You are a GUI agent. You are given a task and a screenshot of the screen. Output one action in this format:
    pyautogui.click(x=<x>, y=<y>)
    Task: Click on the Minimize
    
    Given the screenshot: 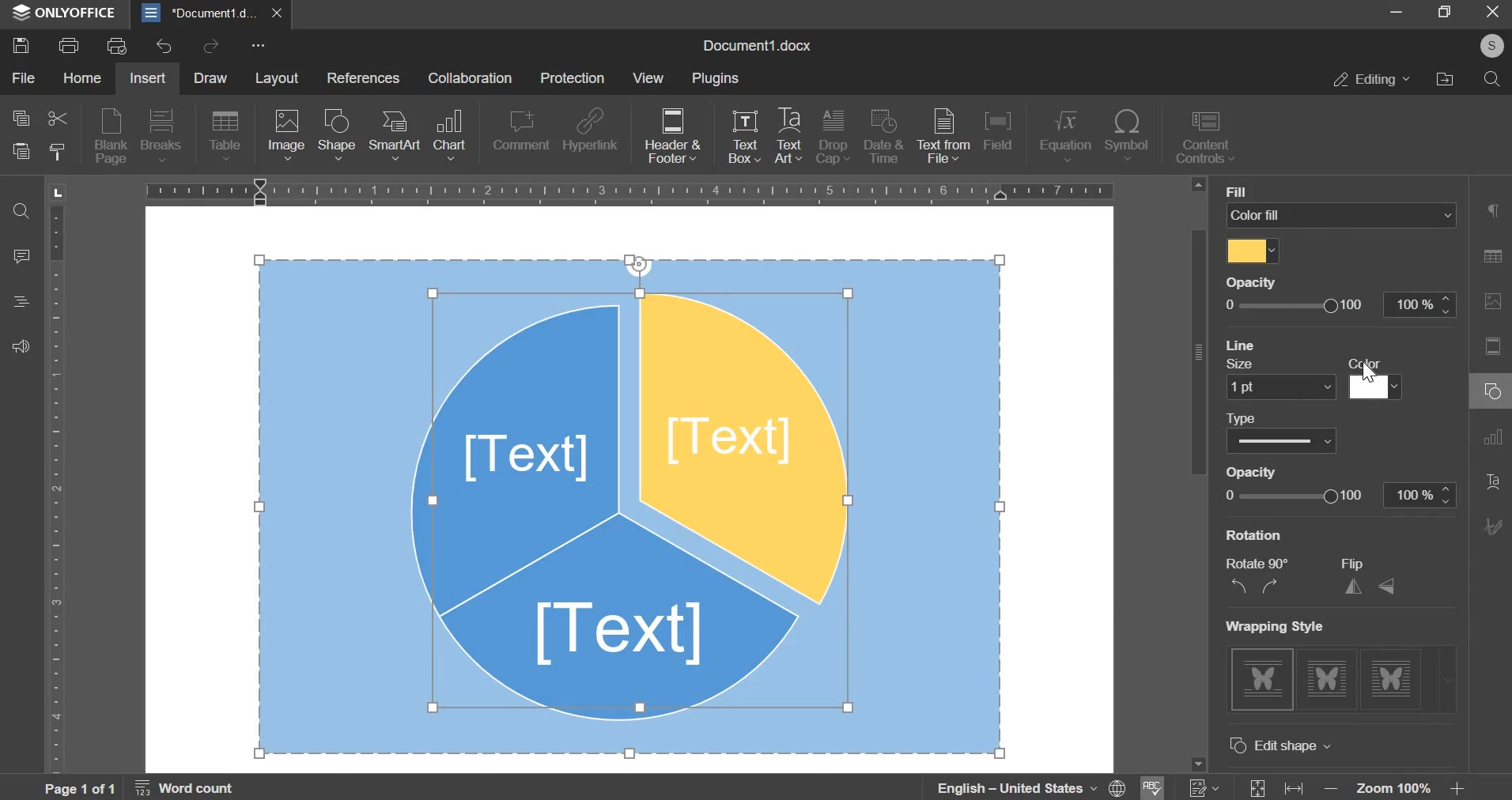 What is the action you would take?
    pyautogui.click(x=1397, y=13)
    